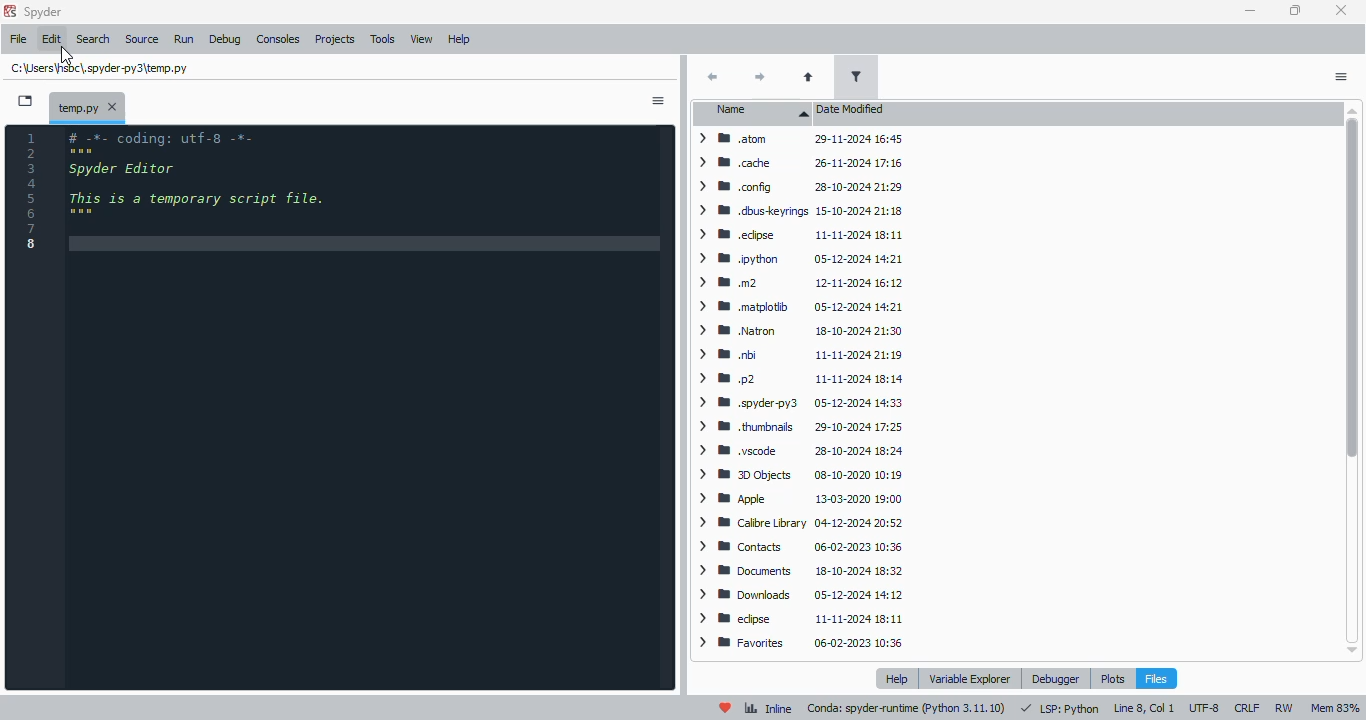 Image resolution: width=1366 pixels, height=720 pixels. I want to click on UTF-8, so click(1204, 708).